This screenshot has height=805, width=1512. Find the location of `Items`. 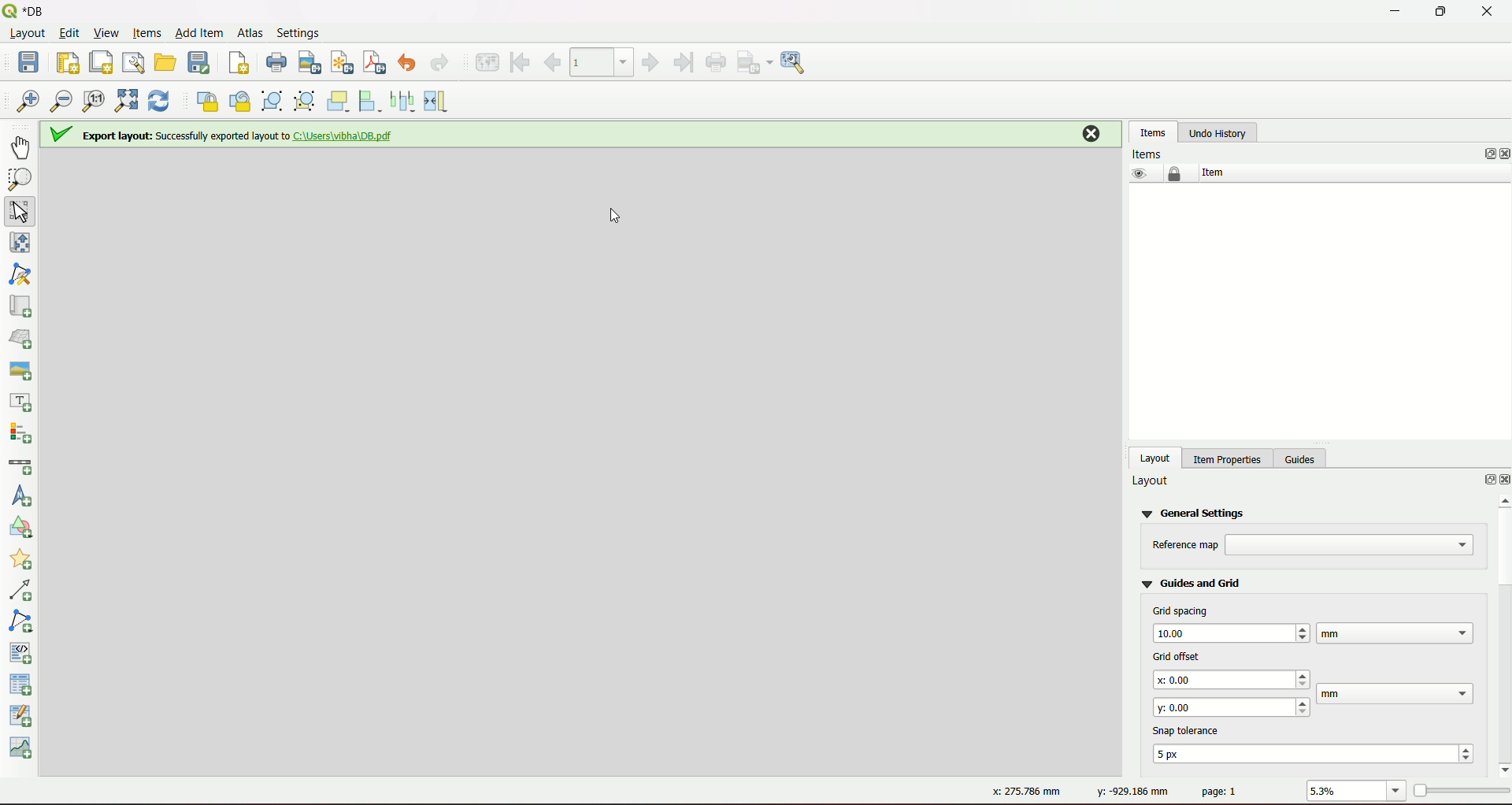

Items is located at coordinates (1150, 153).